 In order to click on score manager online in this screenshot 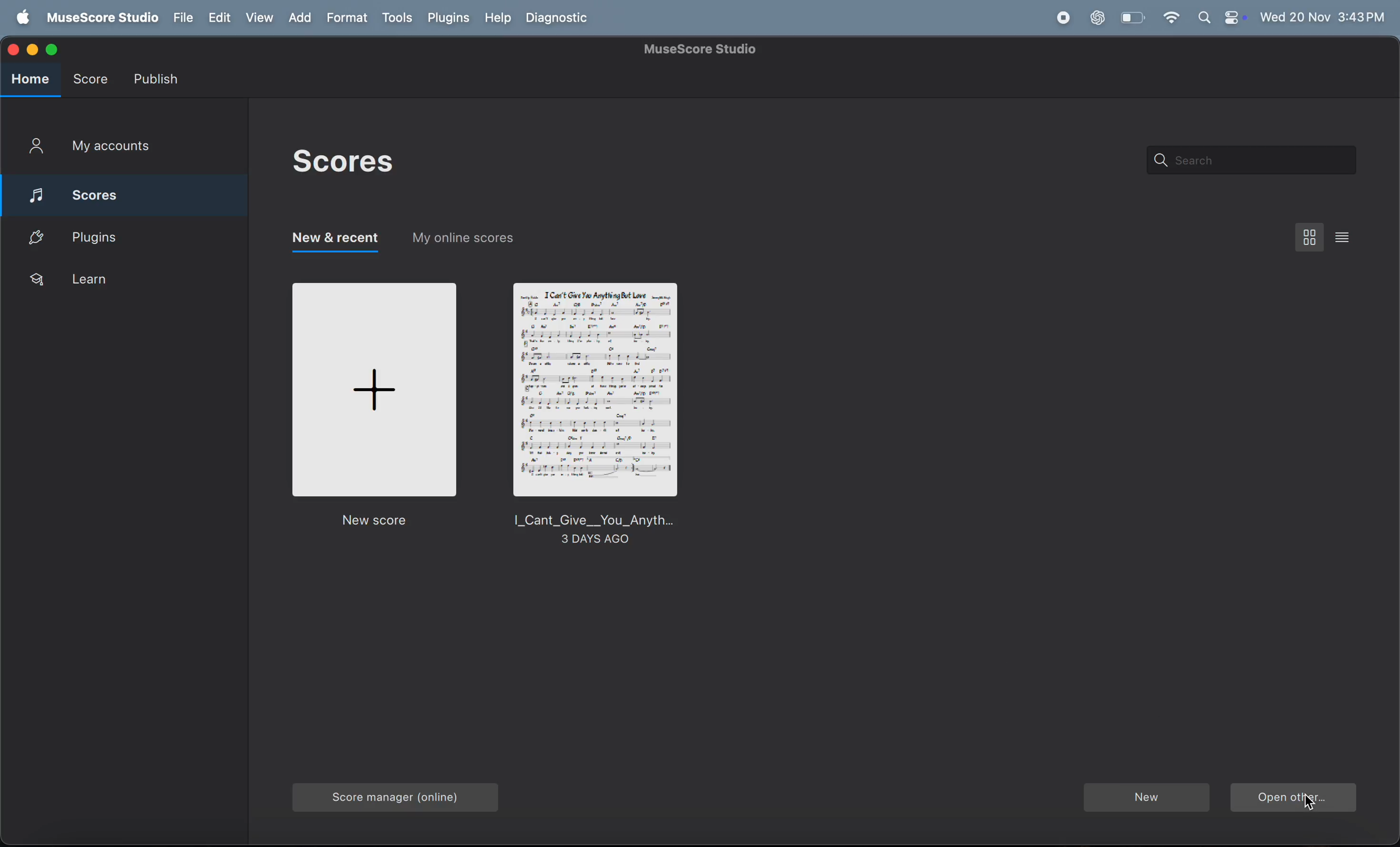, I will do `click(388, 798)`.